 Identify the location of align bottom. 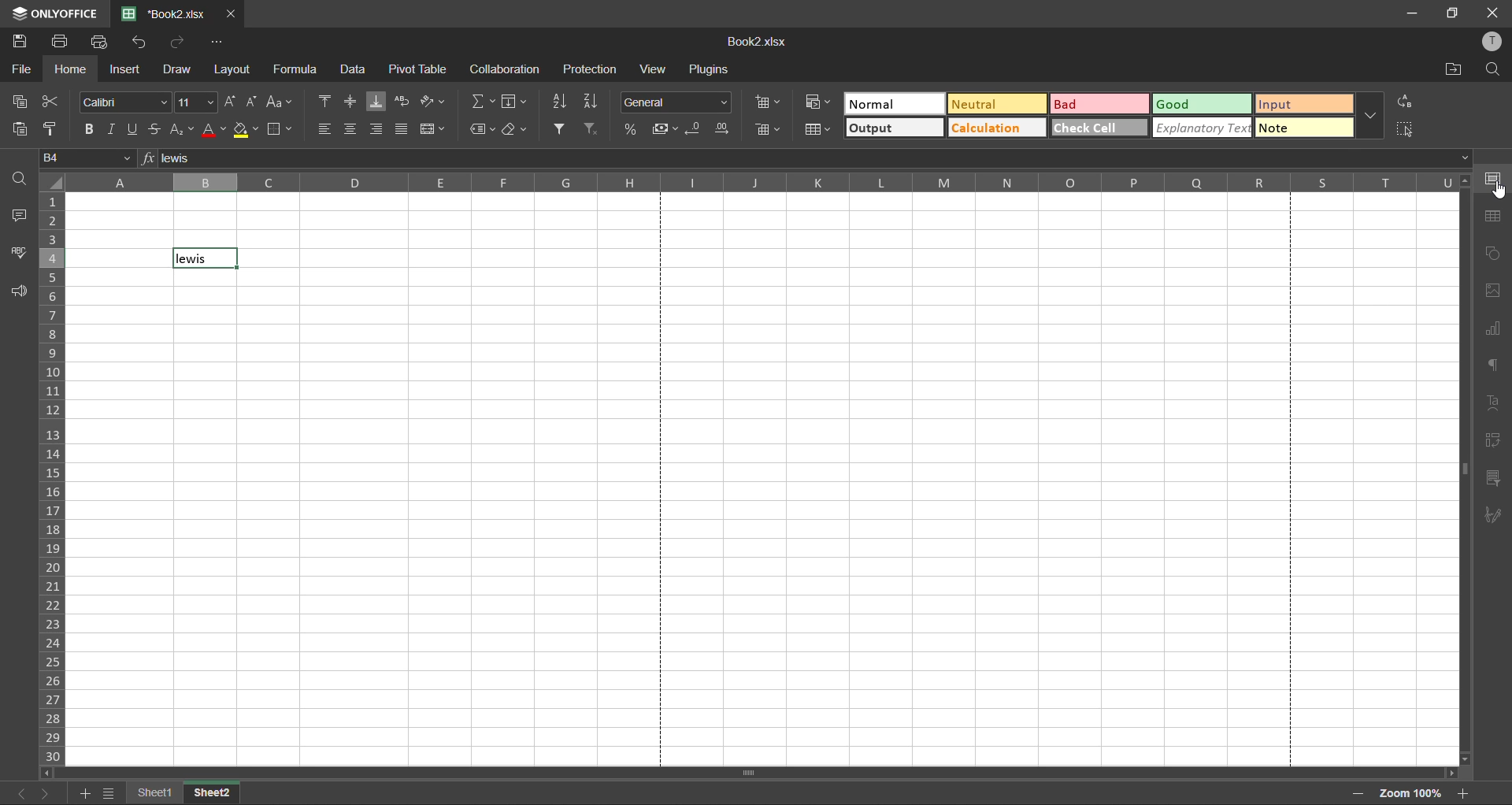
(376, 103).